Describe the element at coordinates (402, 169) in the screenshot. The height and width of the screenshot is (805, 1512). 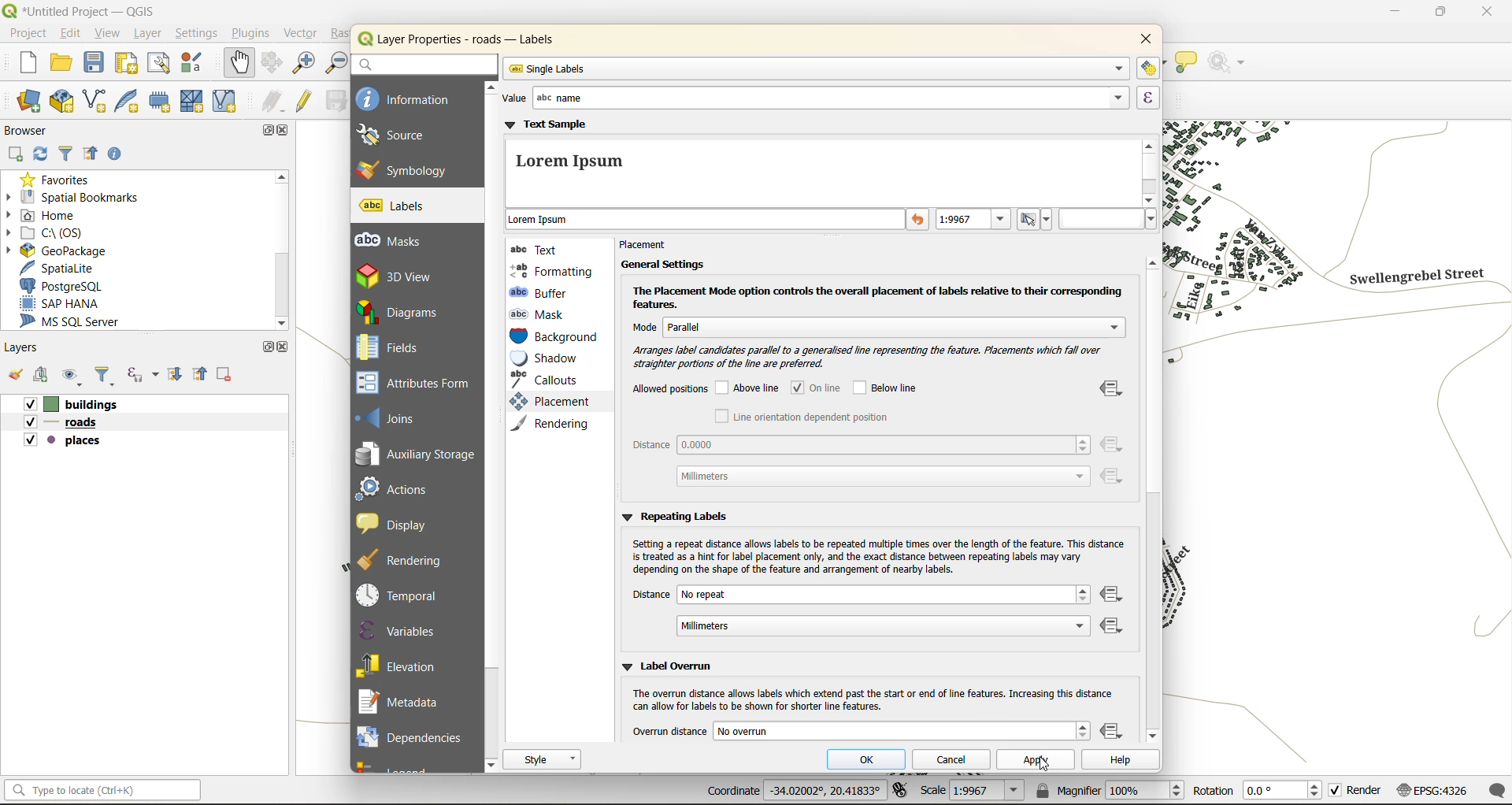
I see `symbology` at that location.